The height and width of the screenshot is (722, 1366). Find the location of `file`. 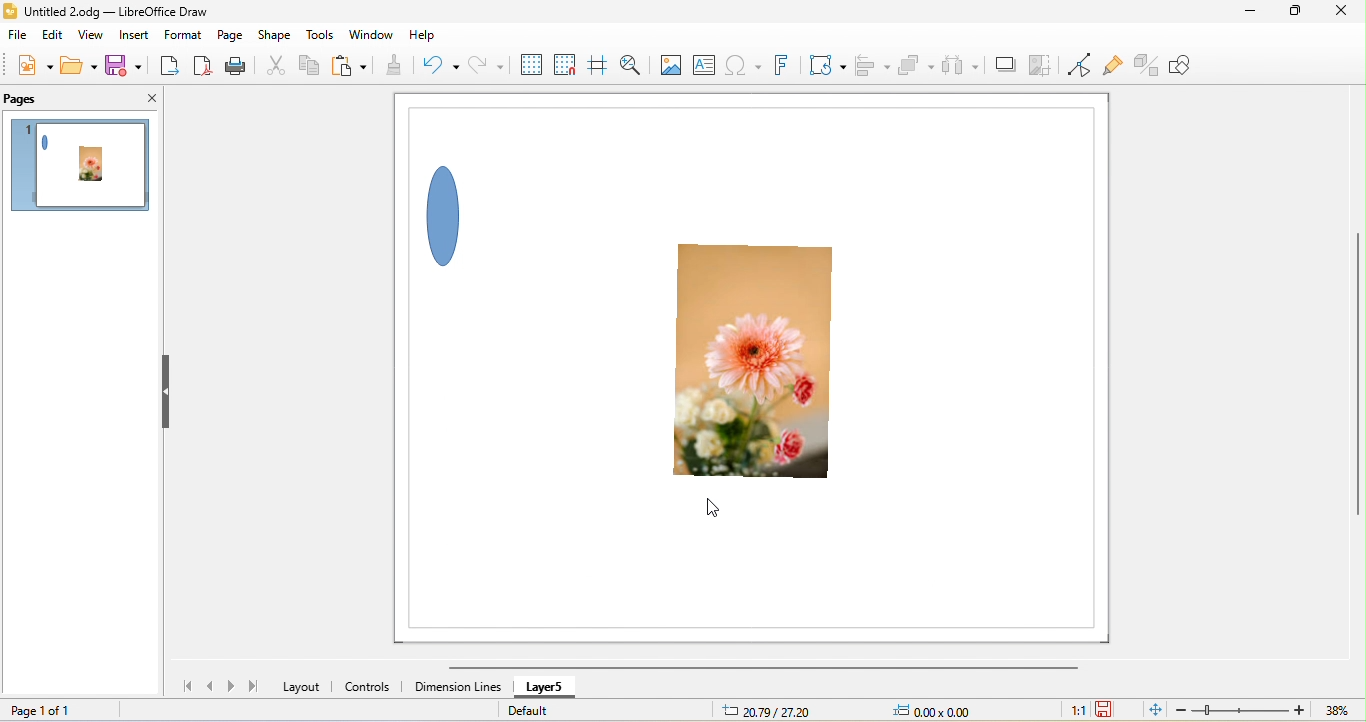

file is located at coordinates (18, 38).